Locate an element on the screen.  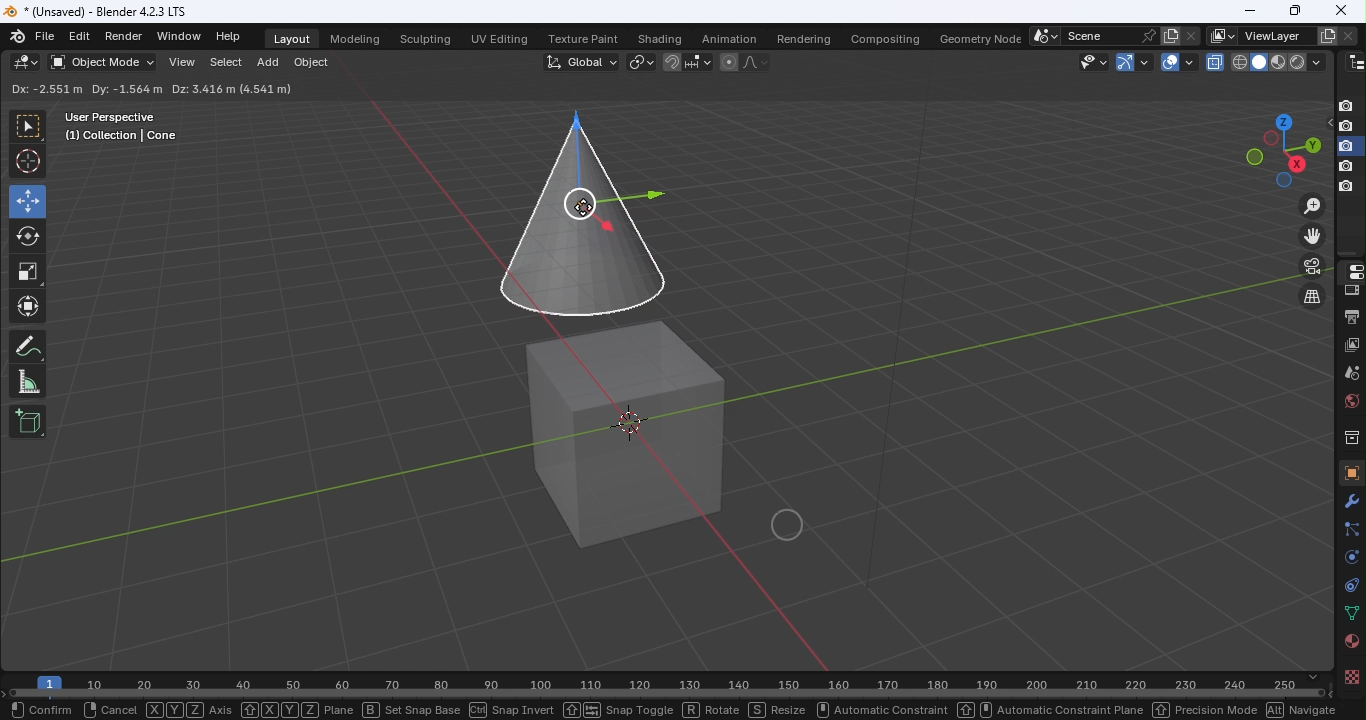
Annotate is located at coordinates (27, 349).